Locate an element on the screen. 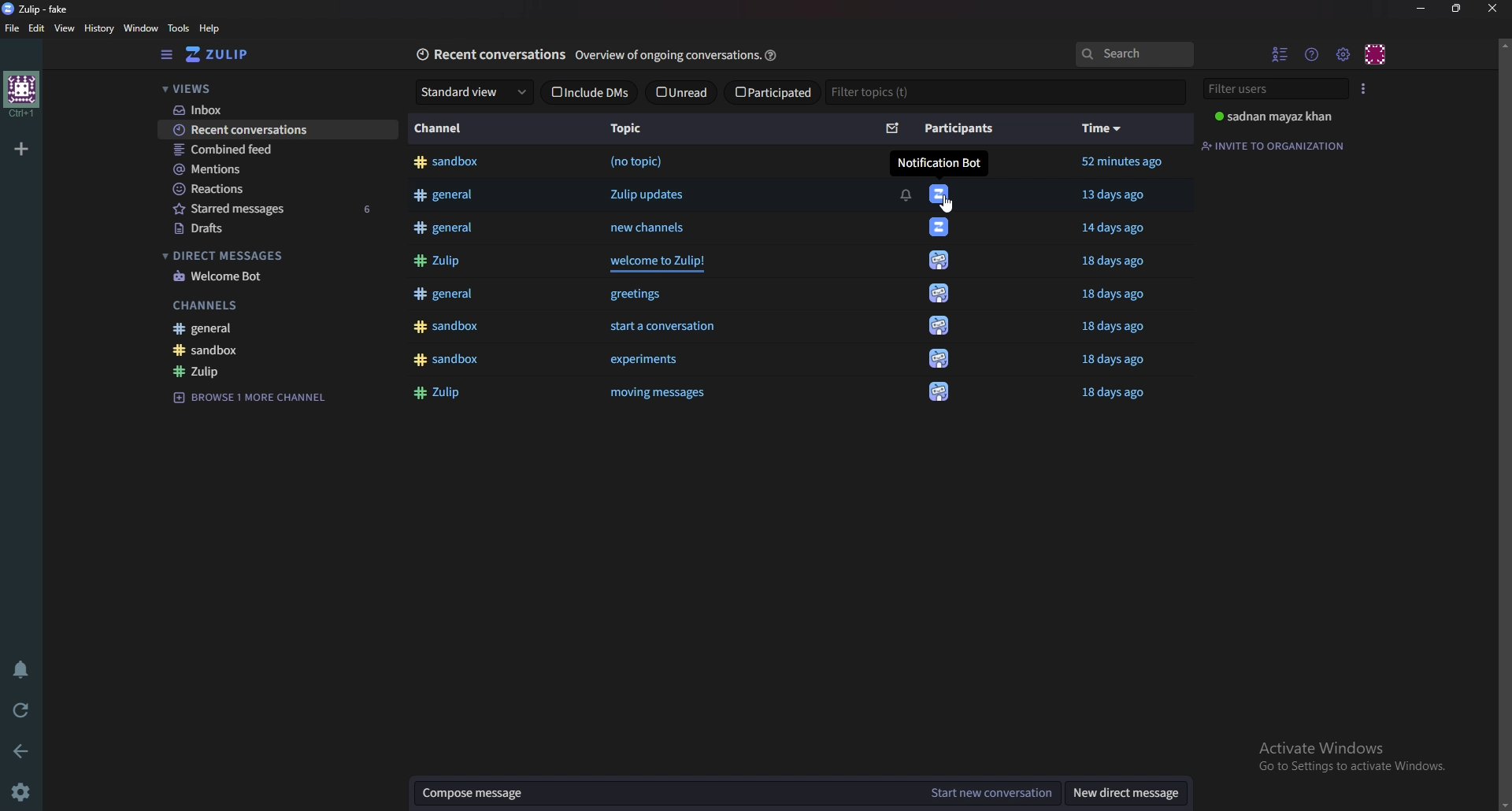 This screenshot has width=1512, height=811. ‘experiments is located at coordinates (642, 360).